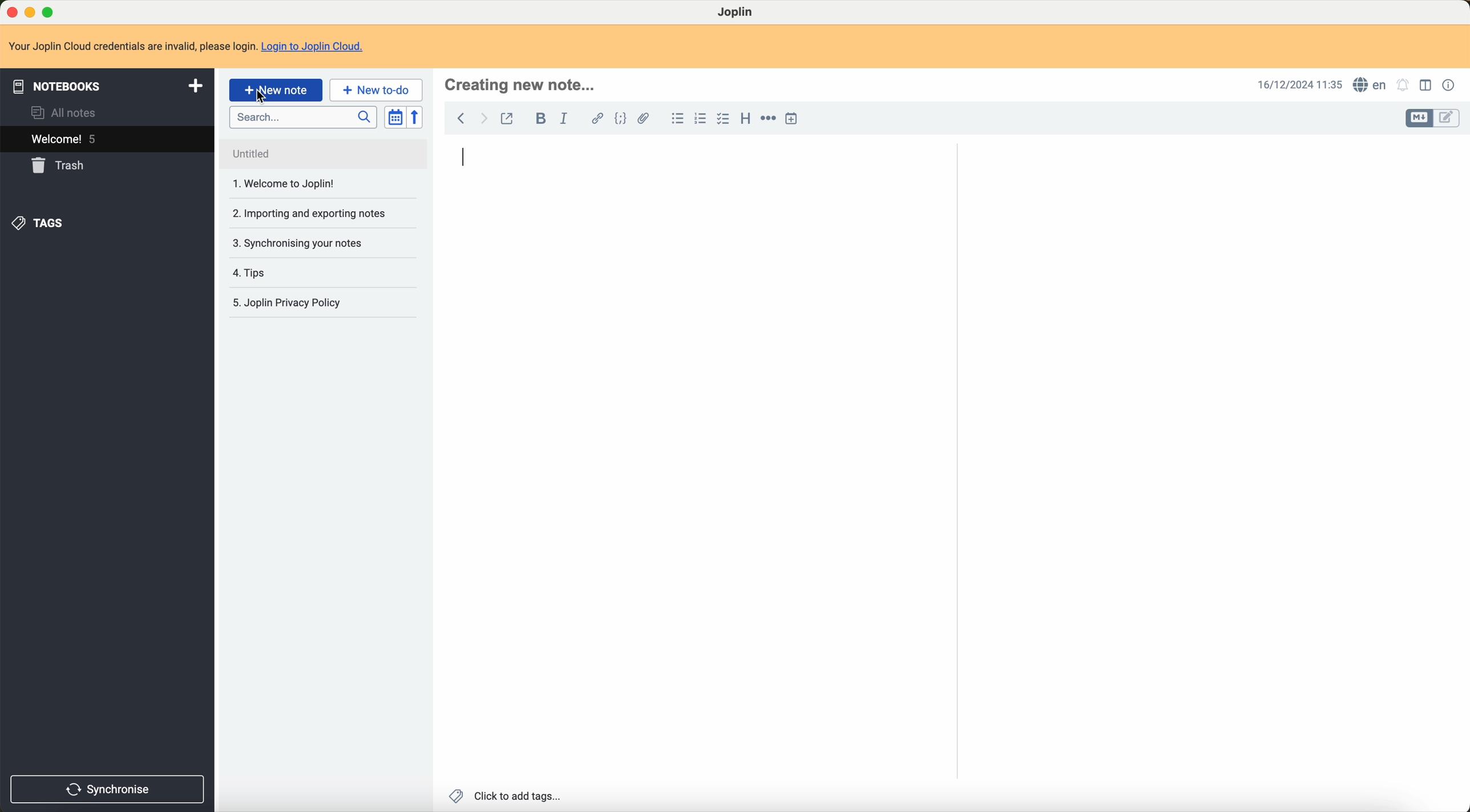 This screenshot has width=1470, height=812. Describe the element at coordinates (1449, 85) in the screenshot. I see `note properties` at that location.